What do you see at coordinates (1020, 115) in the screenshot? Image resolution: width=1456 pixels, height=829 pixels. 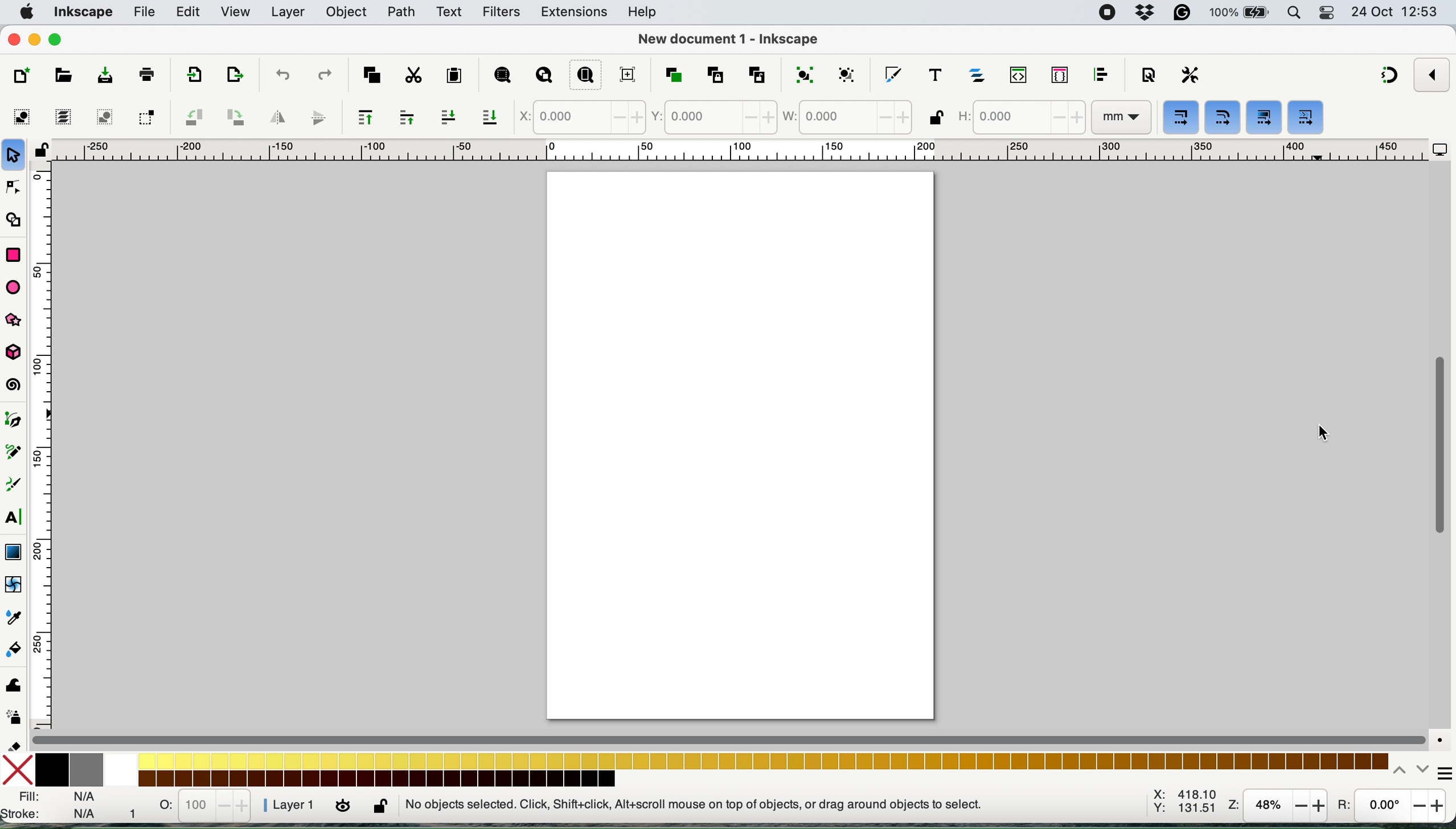 I see `height` at bounding box center [1020, 115].